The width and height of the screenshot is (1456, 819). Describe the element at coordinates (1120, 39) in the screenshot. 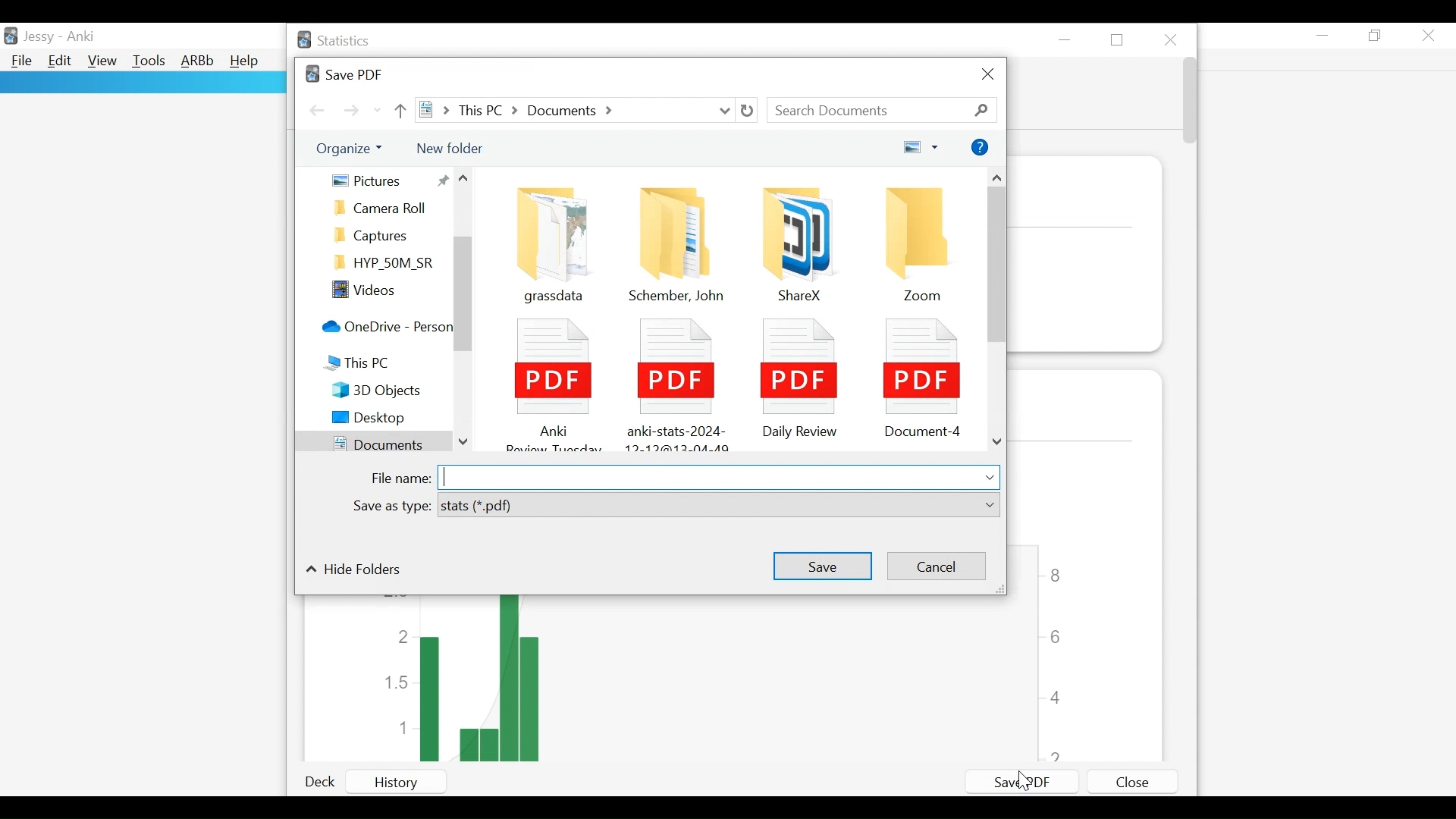

I see `Restore` at that location.